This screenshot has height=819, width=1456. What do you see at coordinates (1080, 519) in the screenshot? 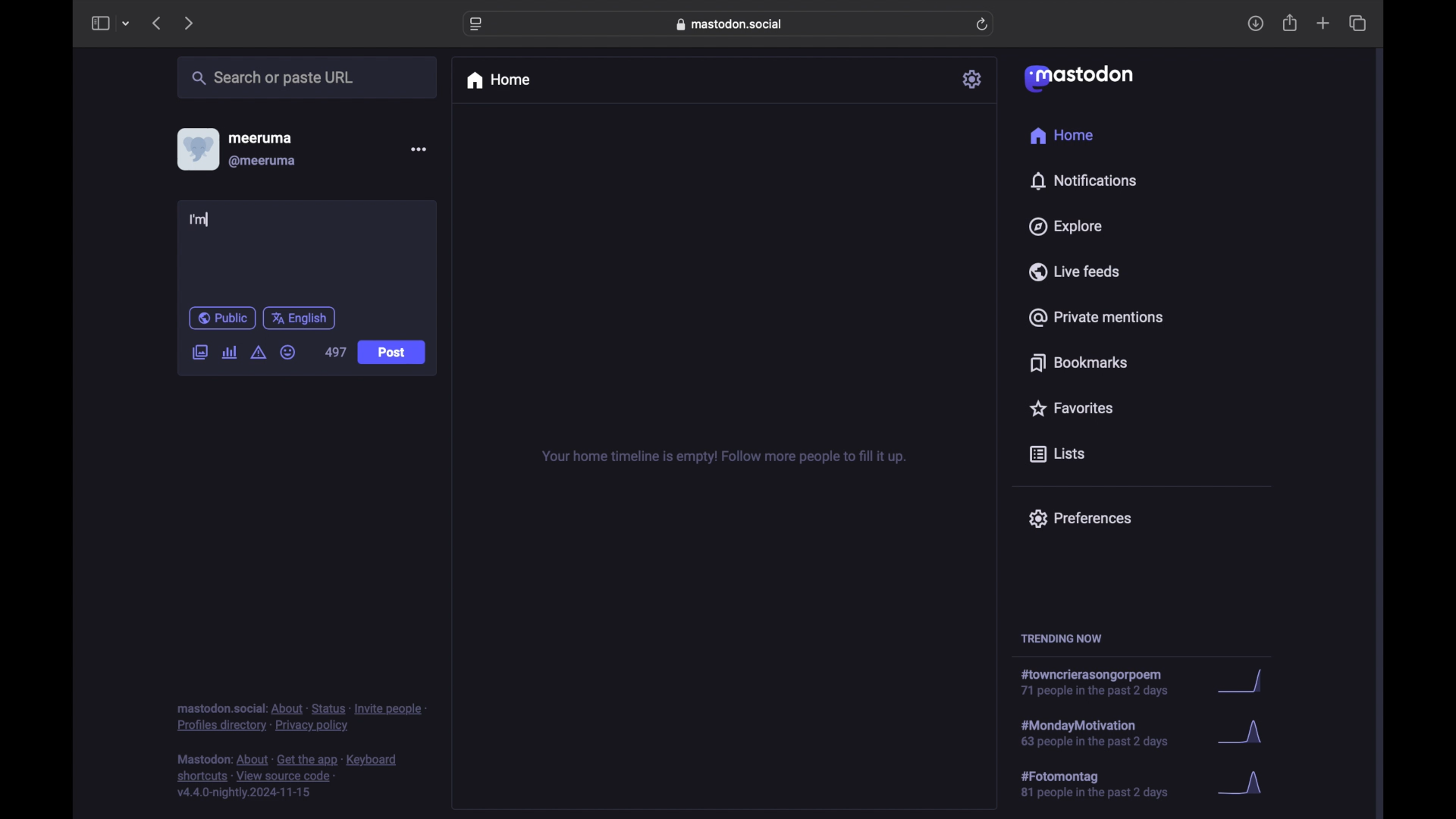
I see `preferences` at bounding box center [1080, 519].